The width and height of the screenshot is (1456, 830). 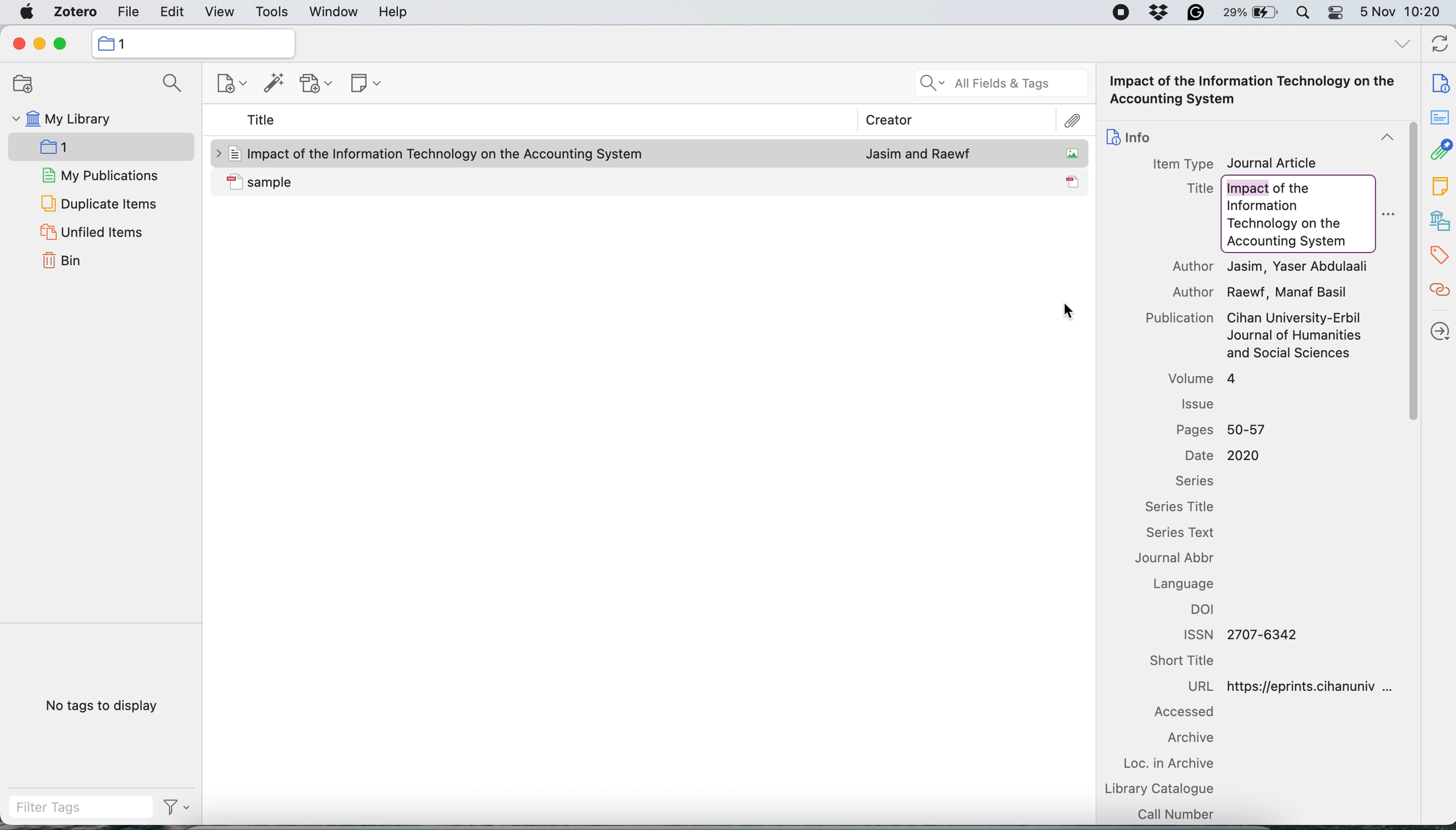 I want to click on call number, so click(x=1179, y=813).